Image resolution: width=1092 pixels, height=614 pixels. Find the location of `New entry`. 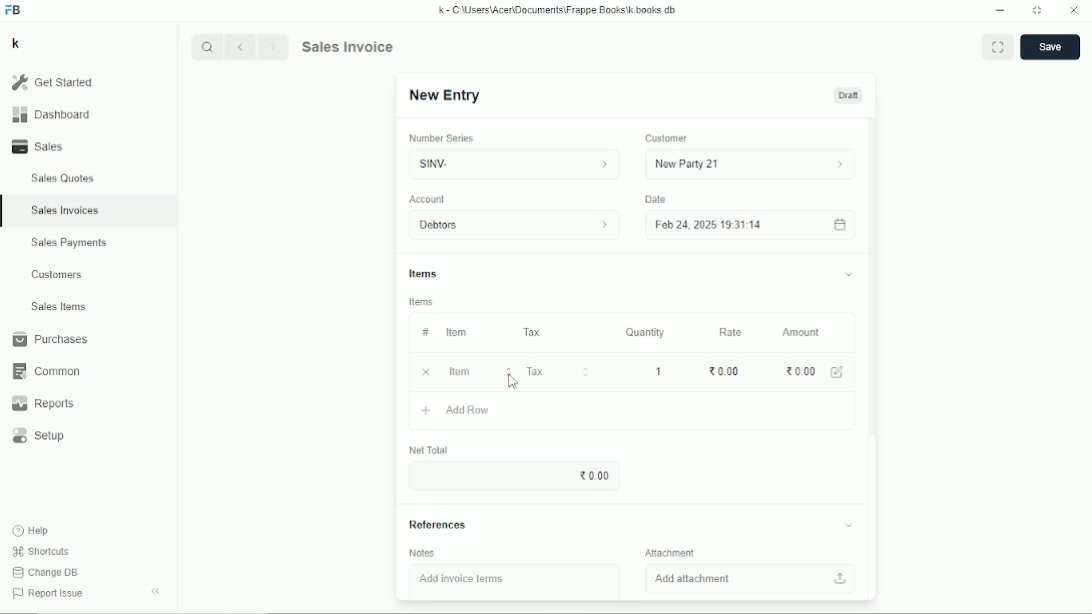

New entry is located at coordinates (445, 96).